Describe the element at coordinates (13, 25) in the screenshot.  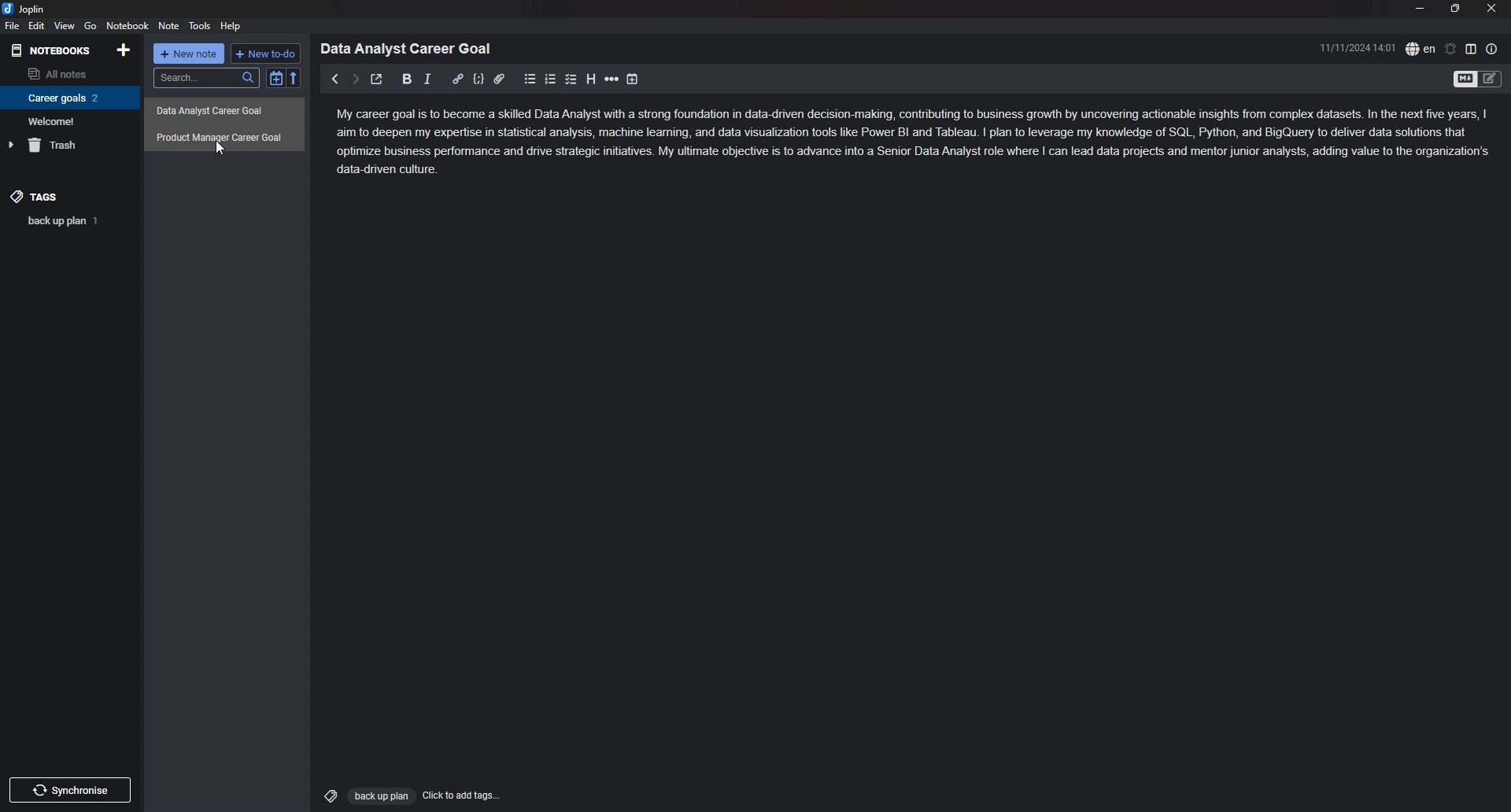
I see `file` at that location.